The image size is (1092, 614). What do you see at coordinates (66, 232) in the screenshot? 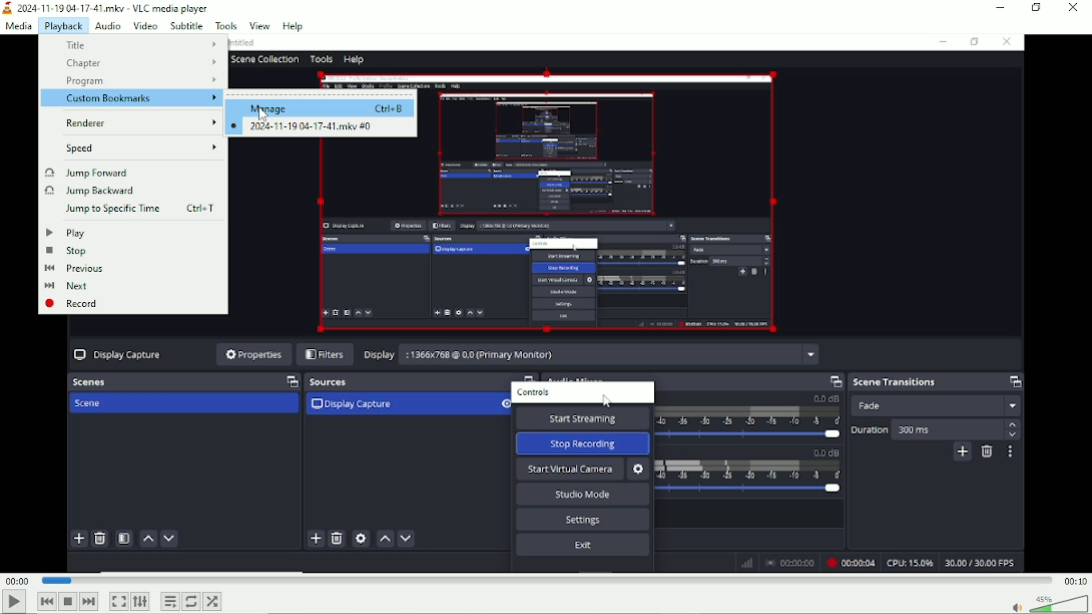
I see `Play` at bounding box center [66, 232].